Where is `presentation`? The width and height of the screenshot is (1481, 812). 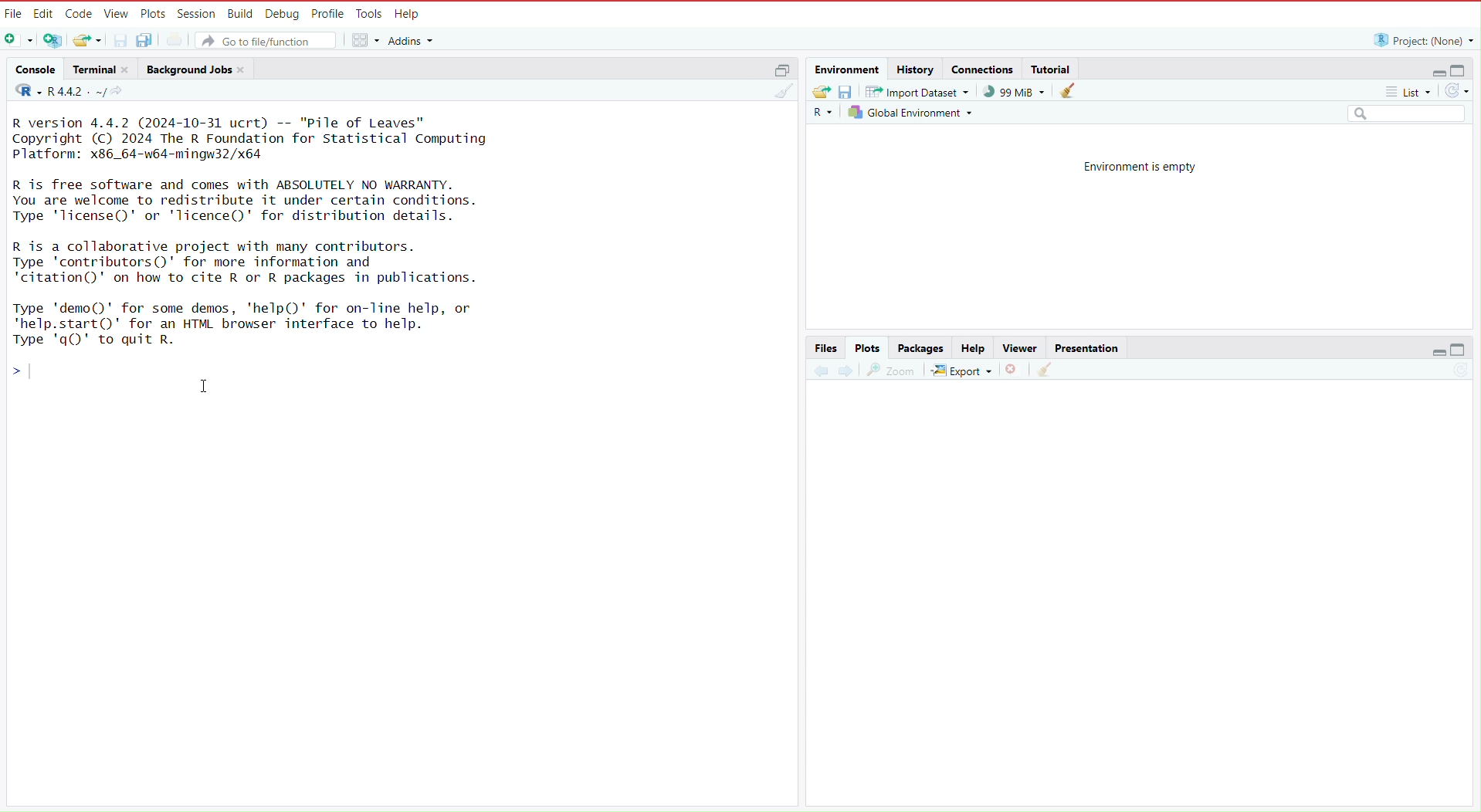 presentation is located at coordinates (1089, 347).